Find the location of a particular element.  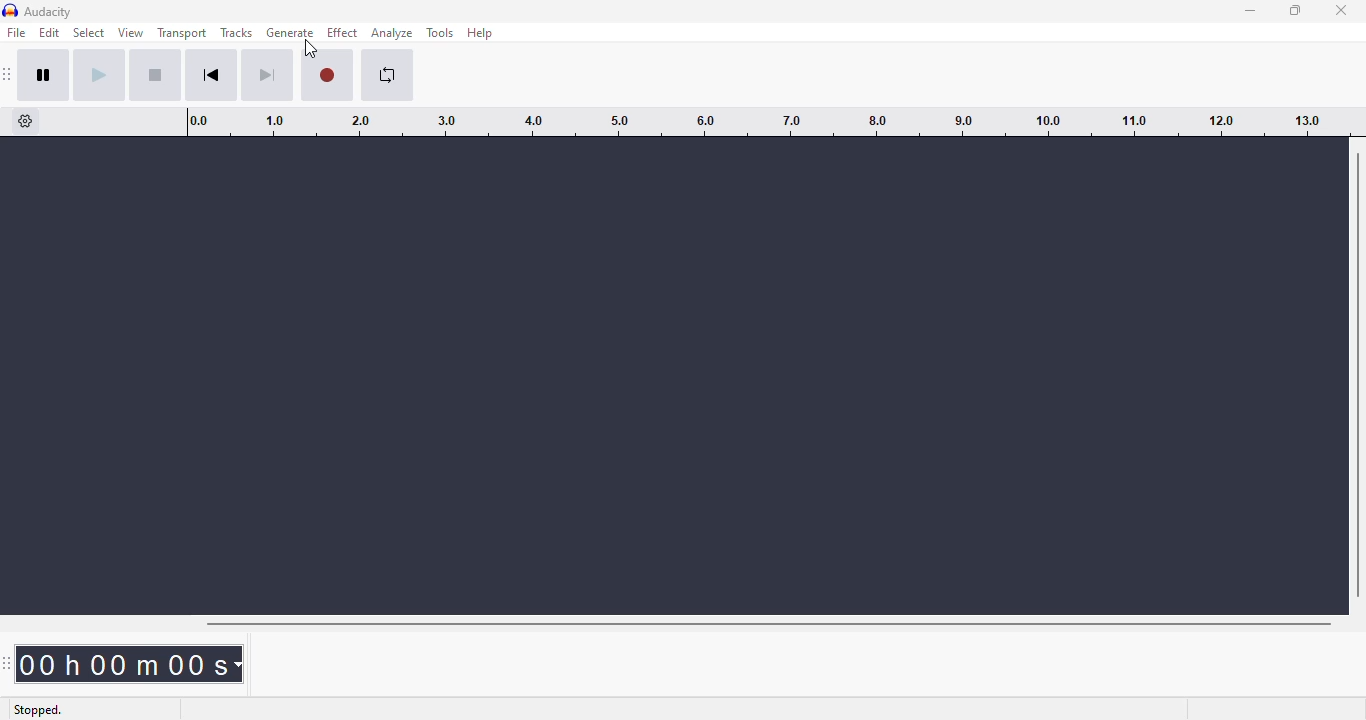

view is located at coordinates (131, 32).